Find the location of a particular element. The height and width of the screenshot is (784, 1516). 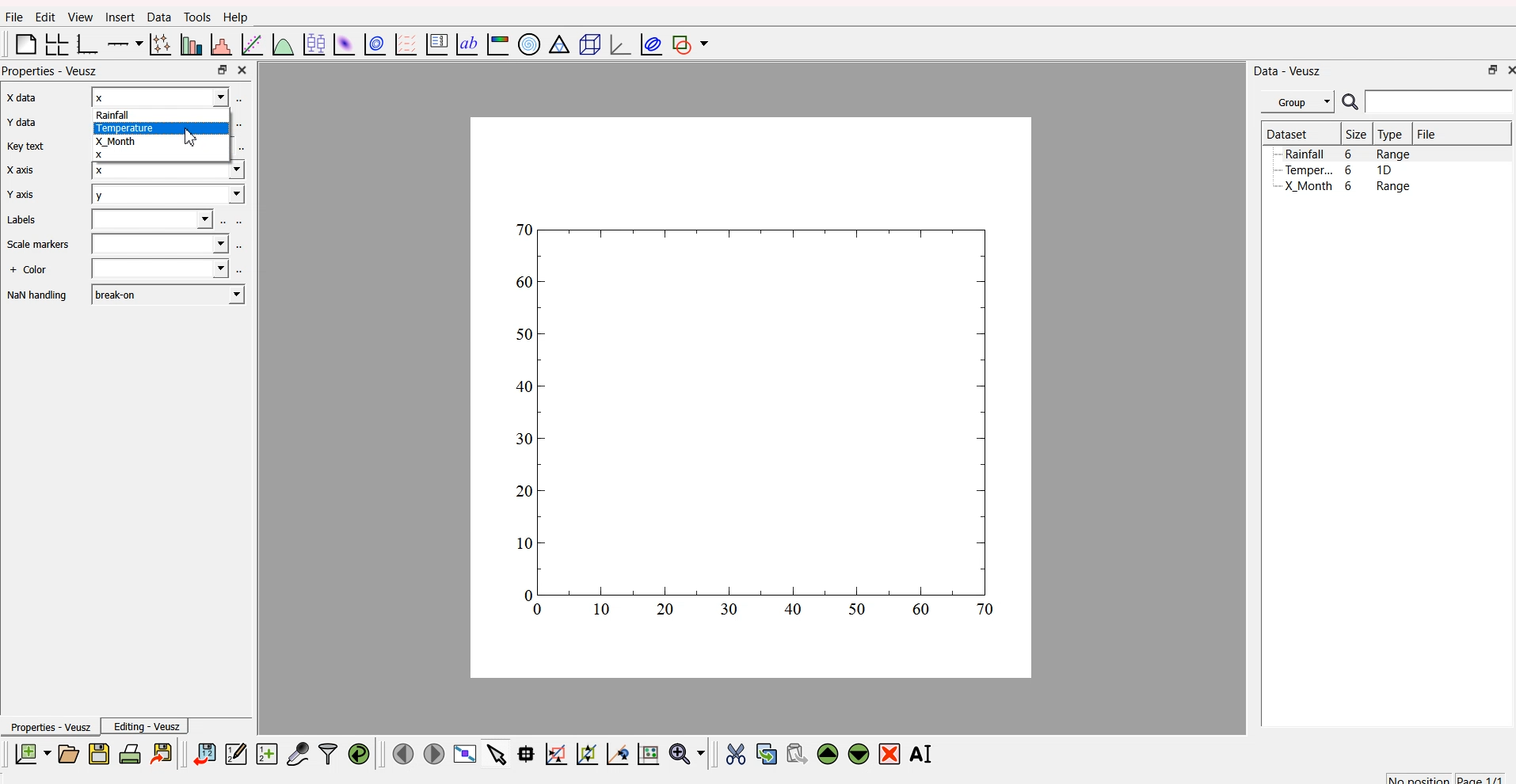

plot on axis is located at coordinates (126, 43).